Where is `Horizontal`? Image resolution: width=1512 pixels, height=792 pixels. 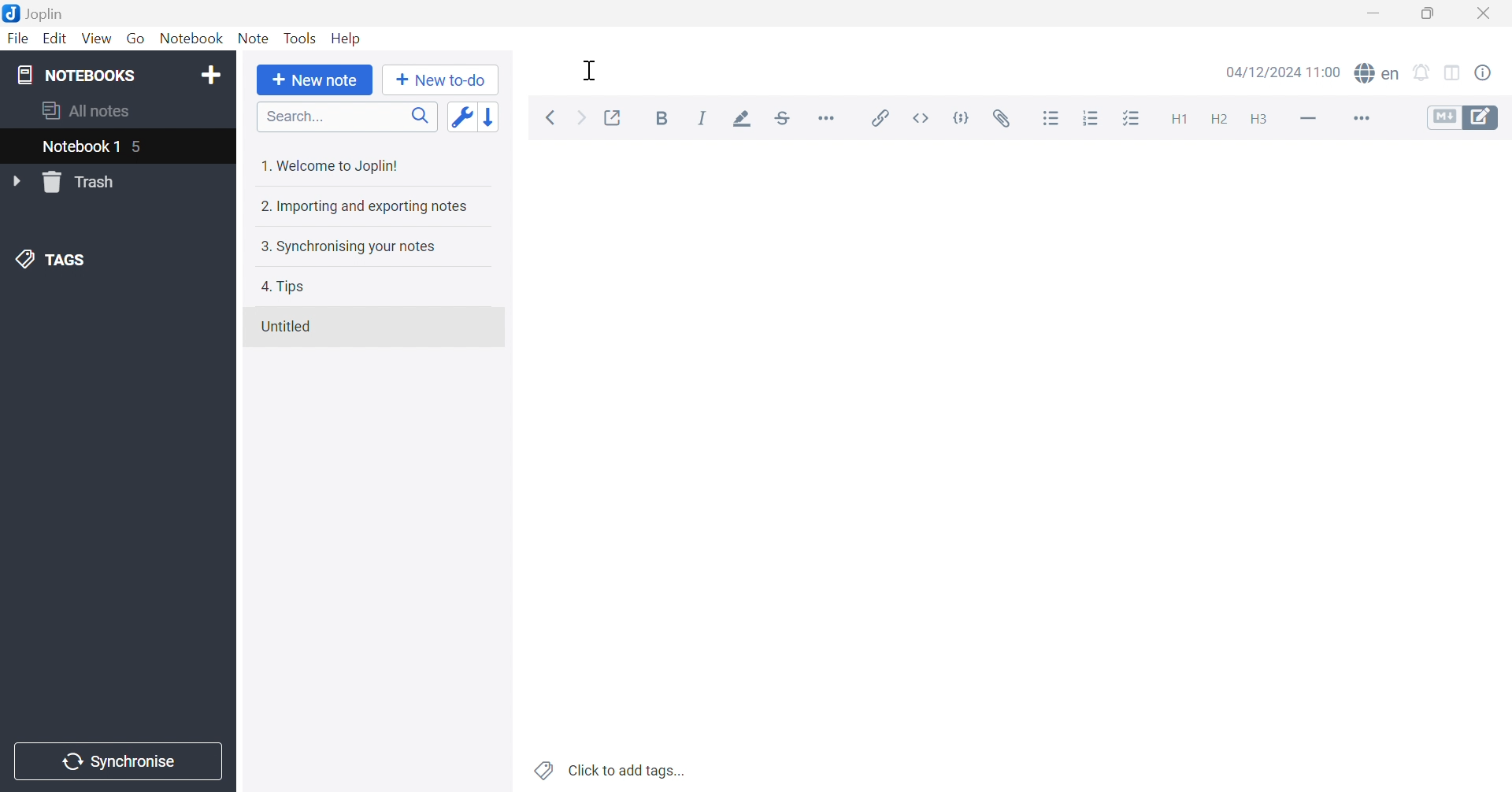
Horizontal is located at coordinates (831, 119).